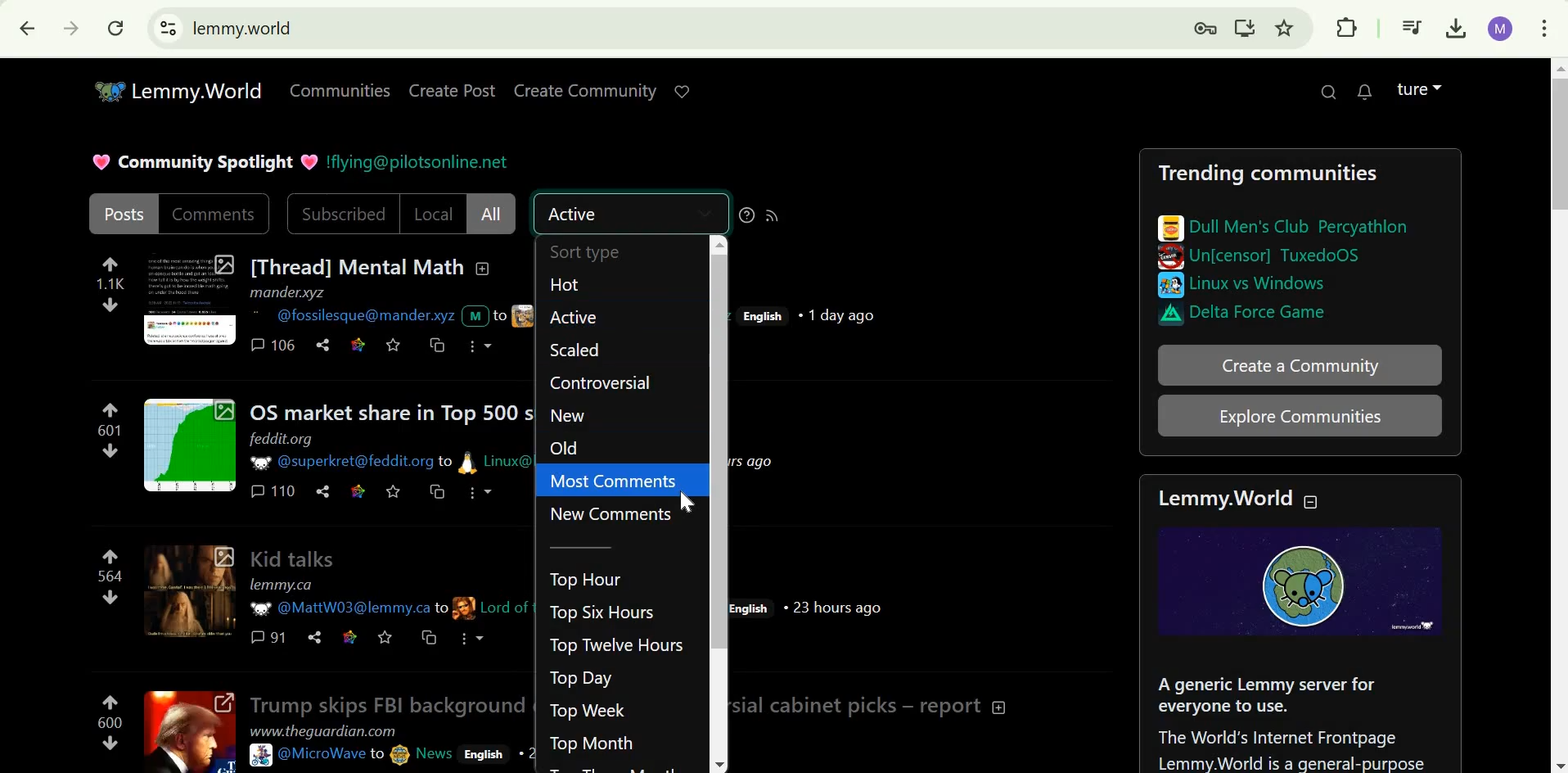 Image resolution: width=1568 pixels, height=773 pixels. What do you see at coordinates (723, 504) in the screenshot?
I see `scroll bar` at bounding box center [723, 504].